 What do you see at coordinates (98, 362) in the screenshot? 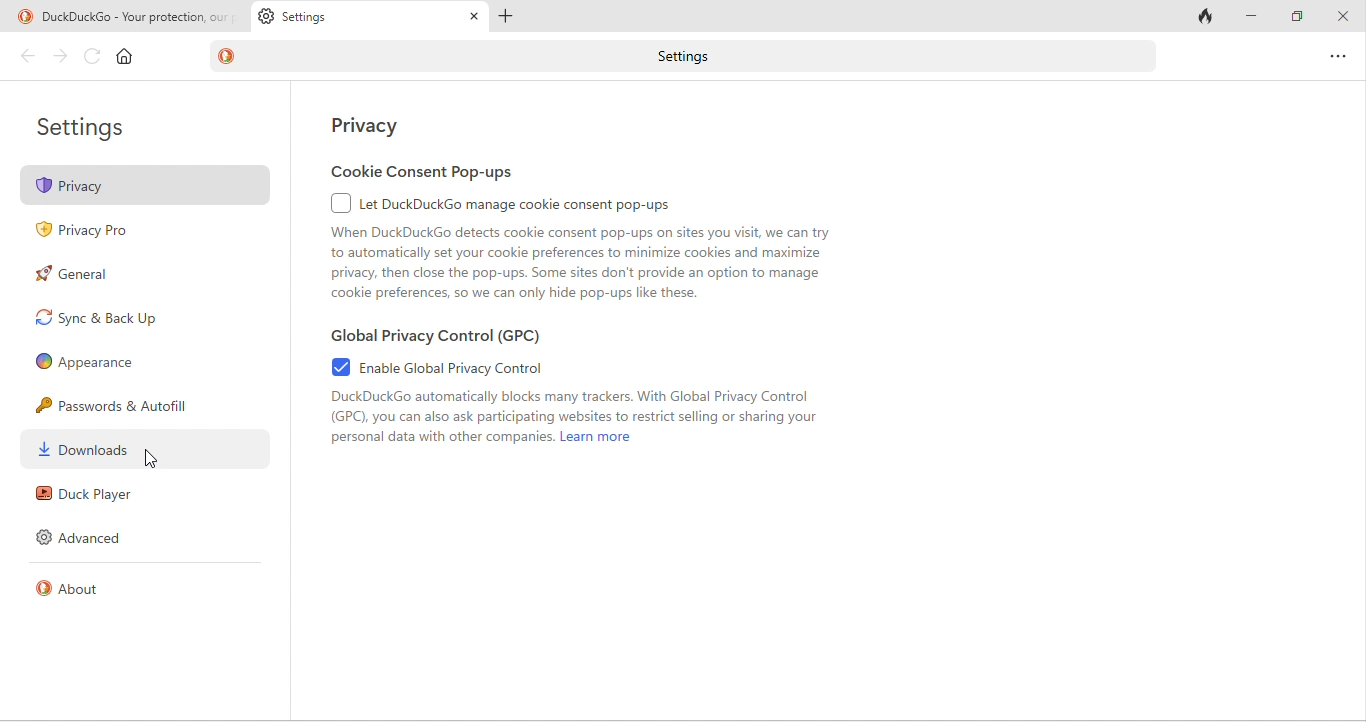
I see `appearence` at bounding box center [98, 362].